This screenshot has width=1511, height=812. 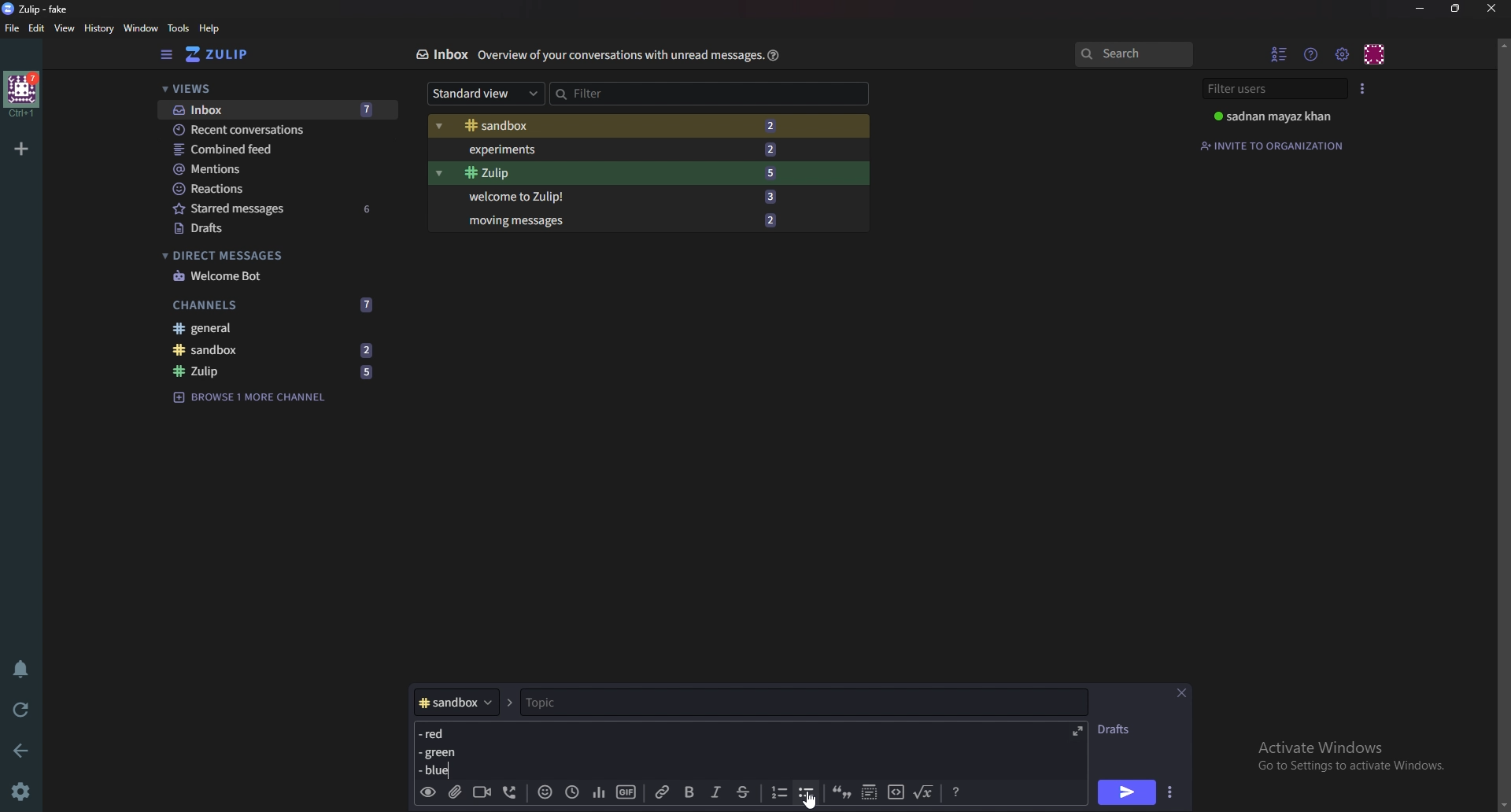 I want to click on Home, so click(x=23, y=94).